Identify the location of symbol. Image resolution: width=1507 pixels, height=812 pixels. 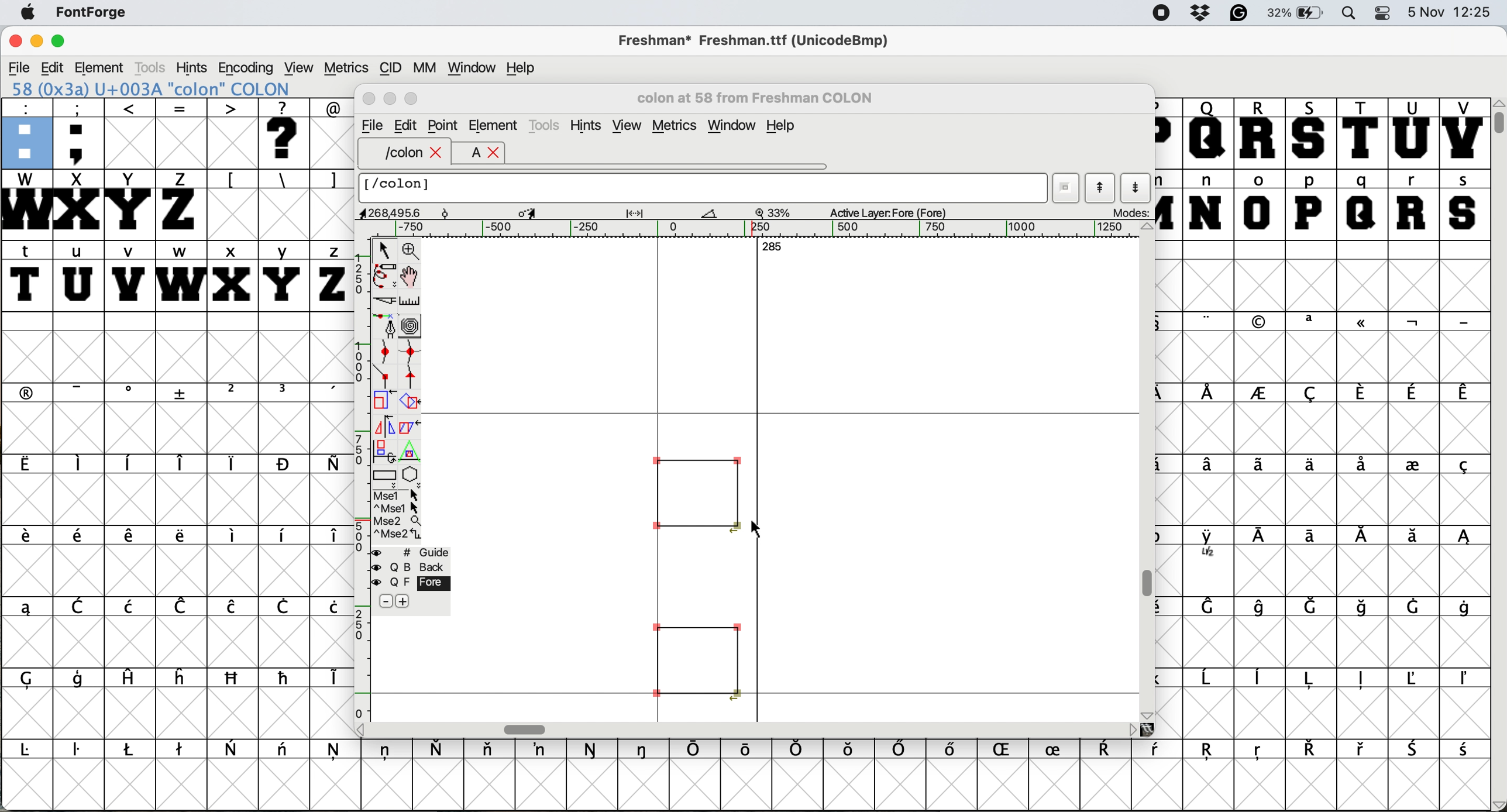
(1315, 605).